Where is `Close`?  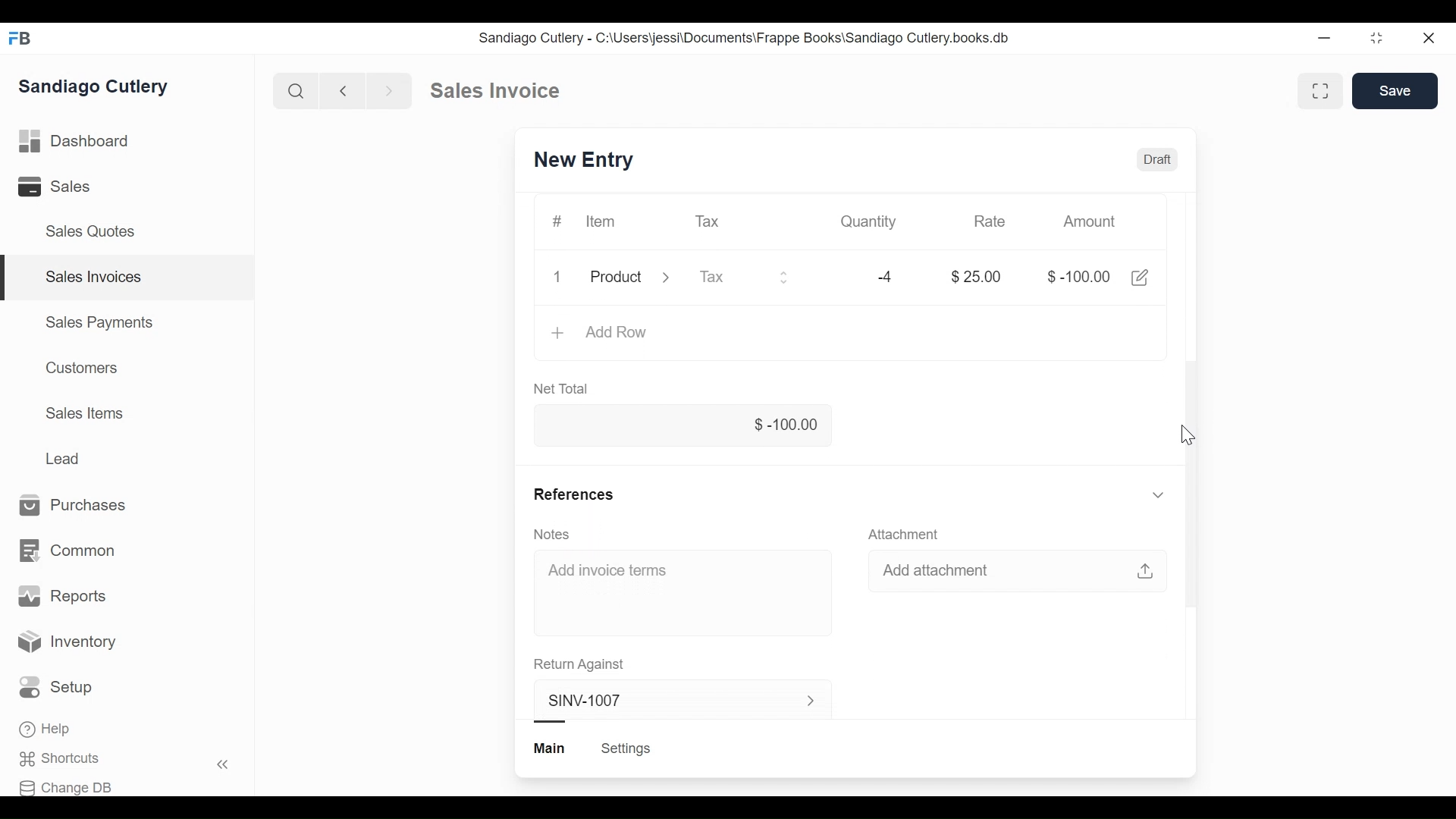 Close is located at coordinates (1432, 39).